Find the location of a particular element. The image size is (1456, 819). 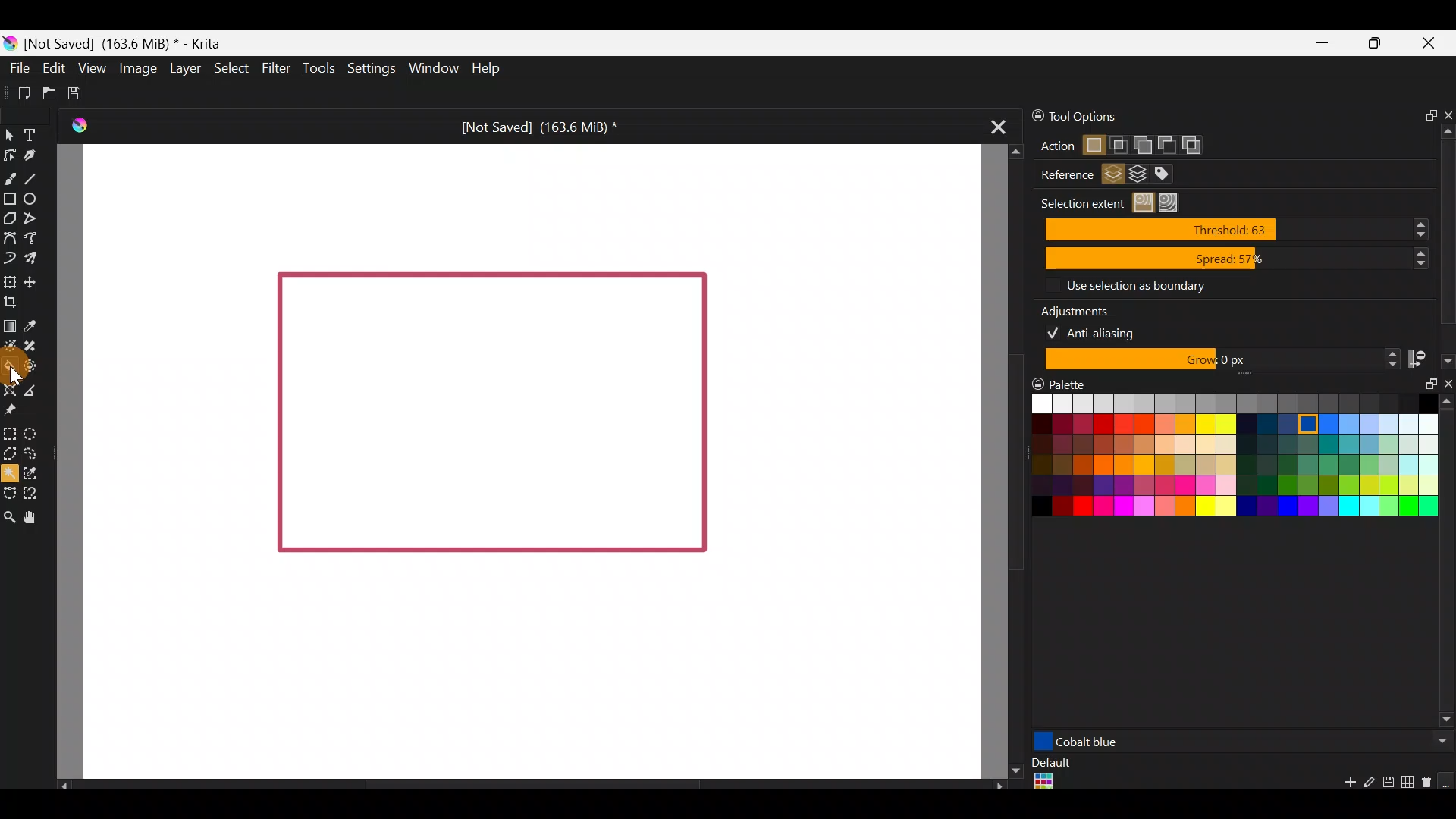

Cursor is located at coordinates (9, 365).